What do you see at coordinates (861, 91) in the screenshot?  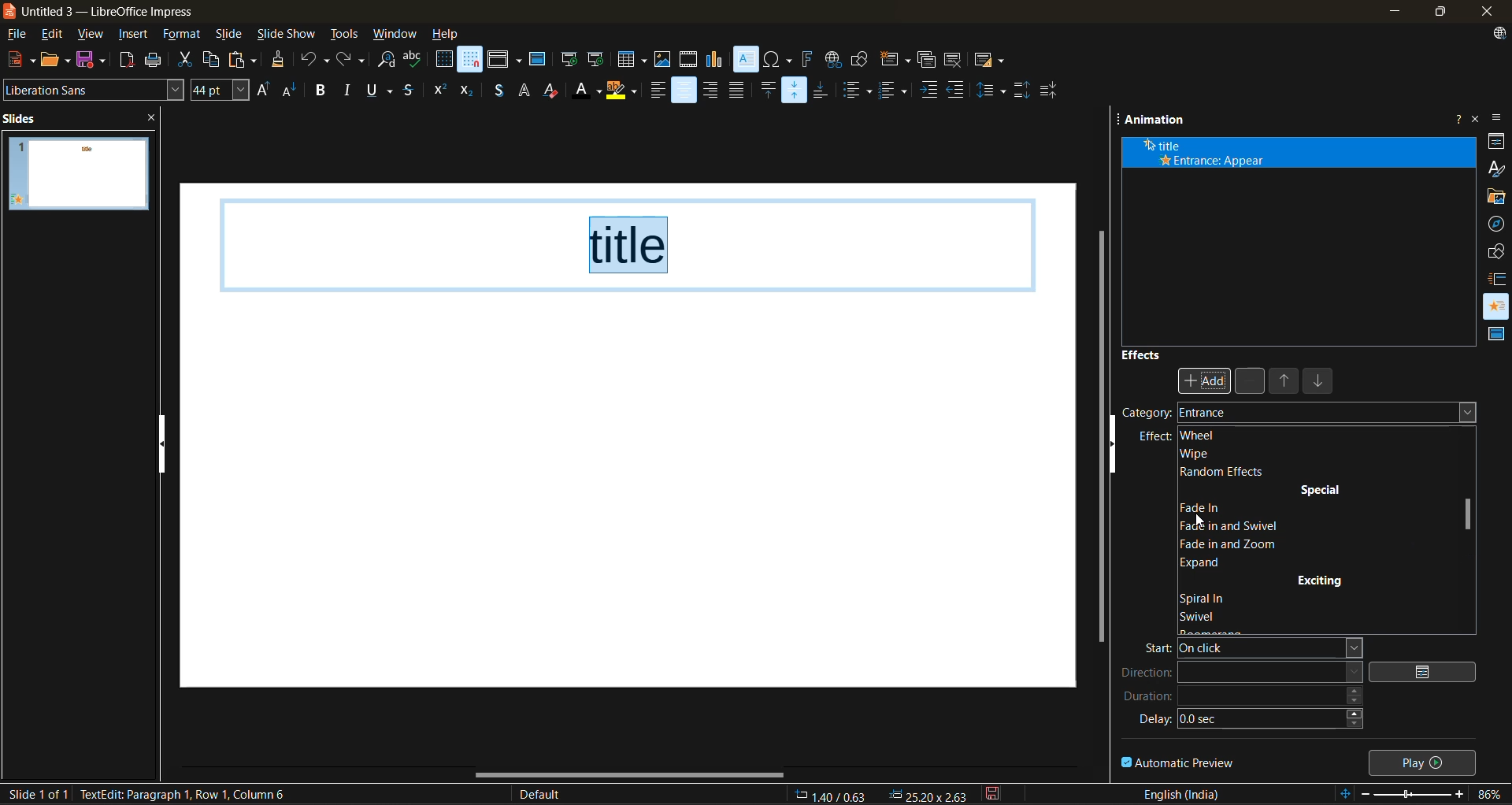 I see `toggle unordered list` at bounding box center [861, 91].